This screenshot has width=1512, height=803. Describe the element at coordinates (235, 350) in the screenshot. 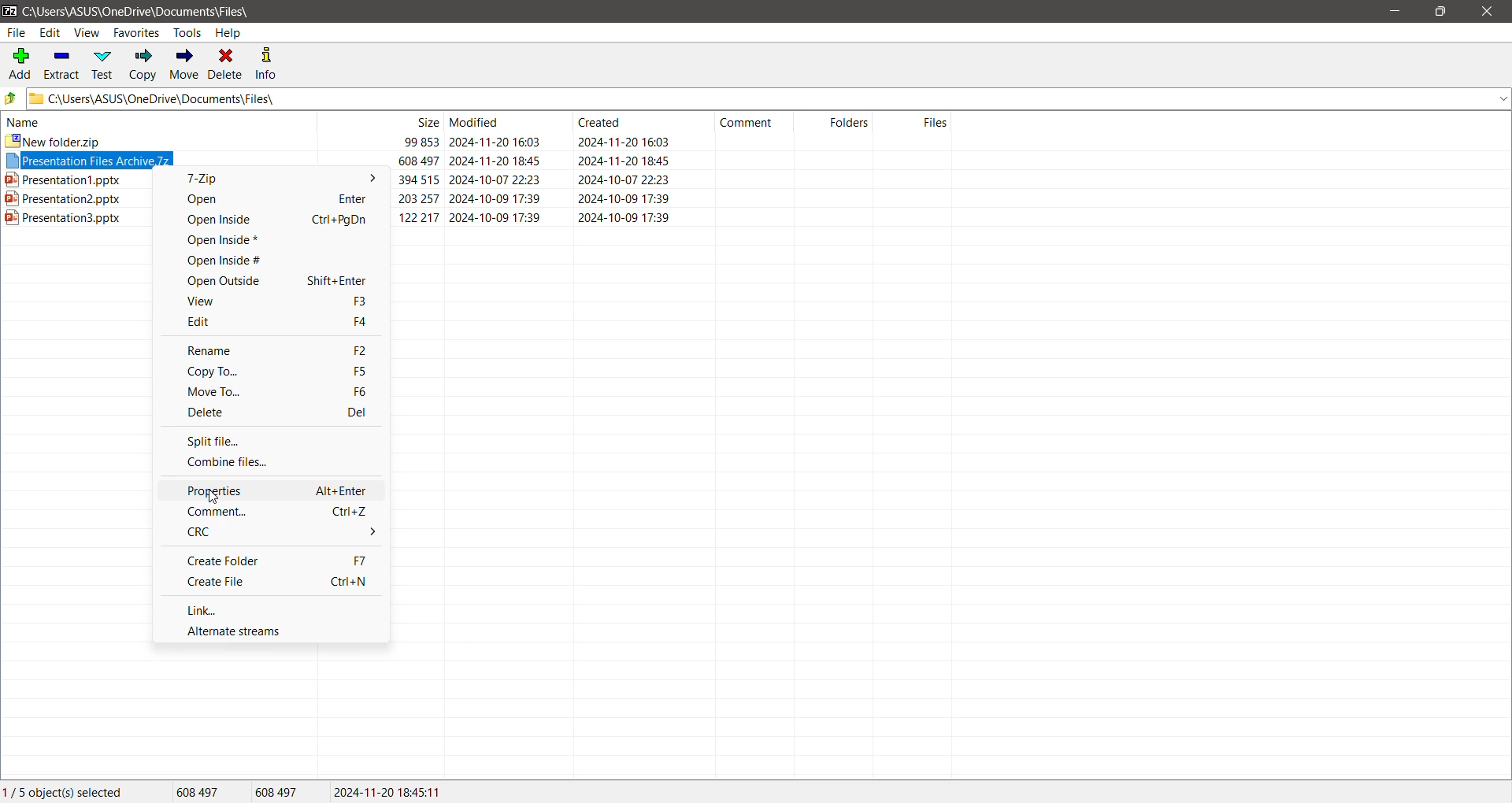

I see `Rename` at that location.